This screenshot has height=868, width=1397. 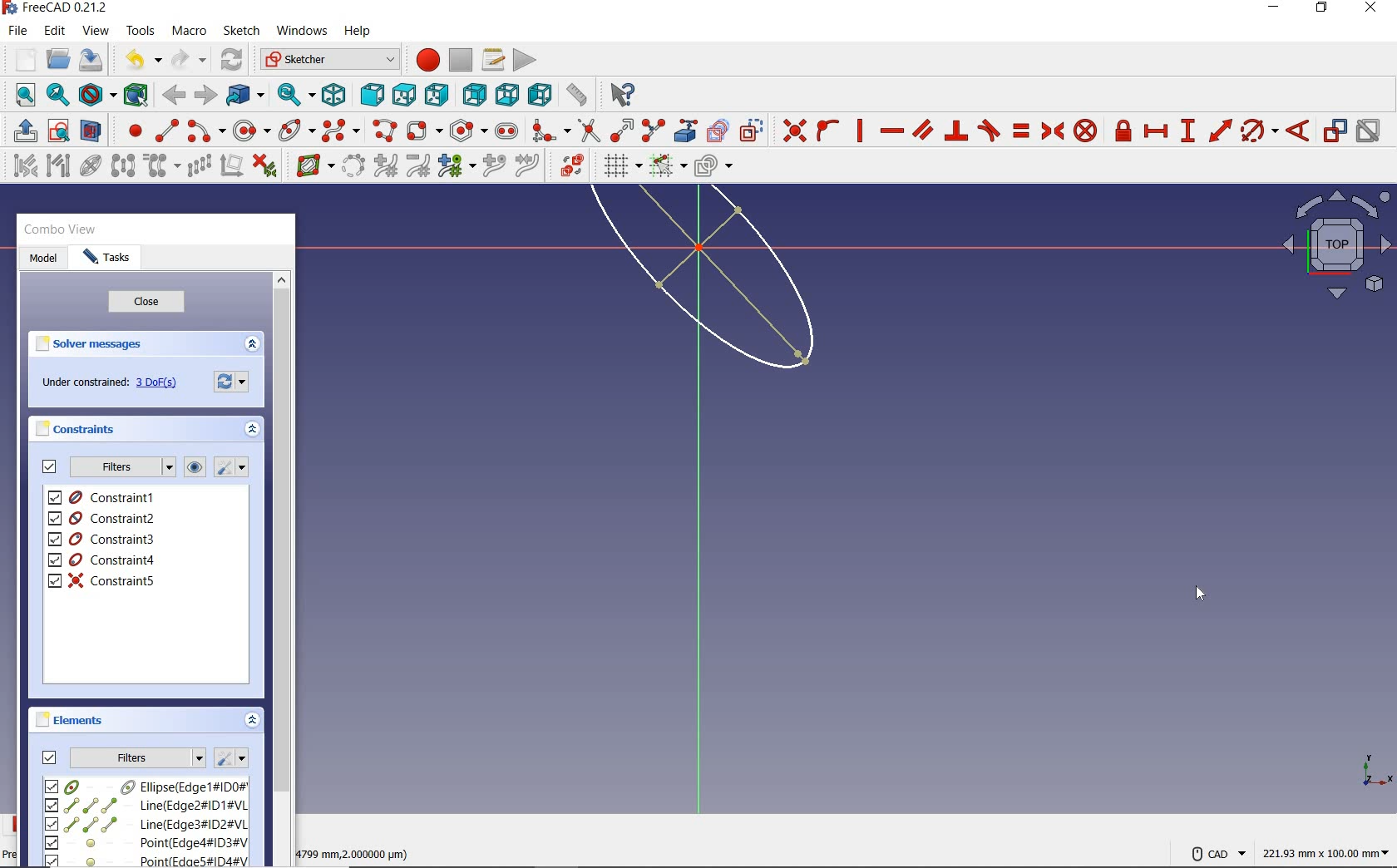 What do you see at coordinates (281, 567) in the screenshot?
I see `scrollbar` at bounding box center [281, 567].